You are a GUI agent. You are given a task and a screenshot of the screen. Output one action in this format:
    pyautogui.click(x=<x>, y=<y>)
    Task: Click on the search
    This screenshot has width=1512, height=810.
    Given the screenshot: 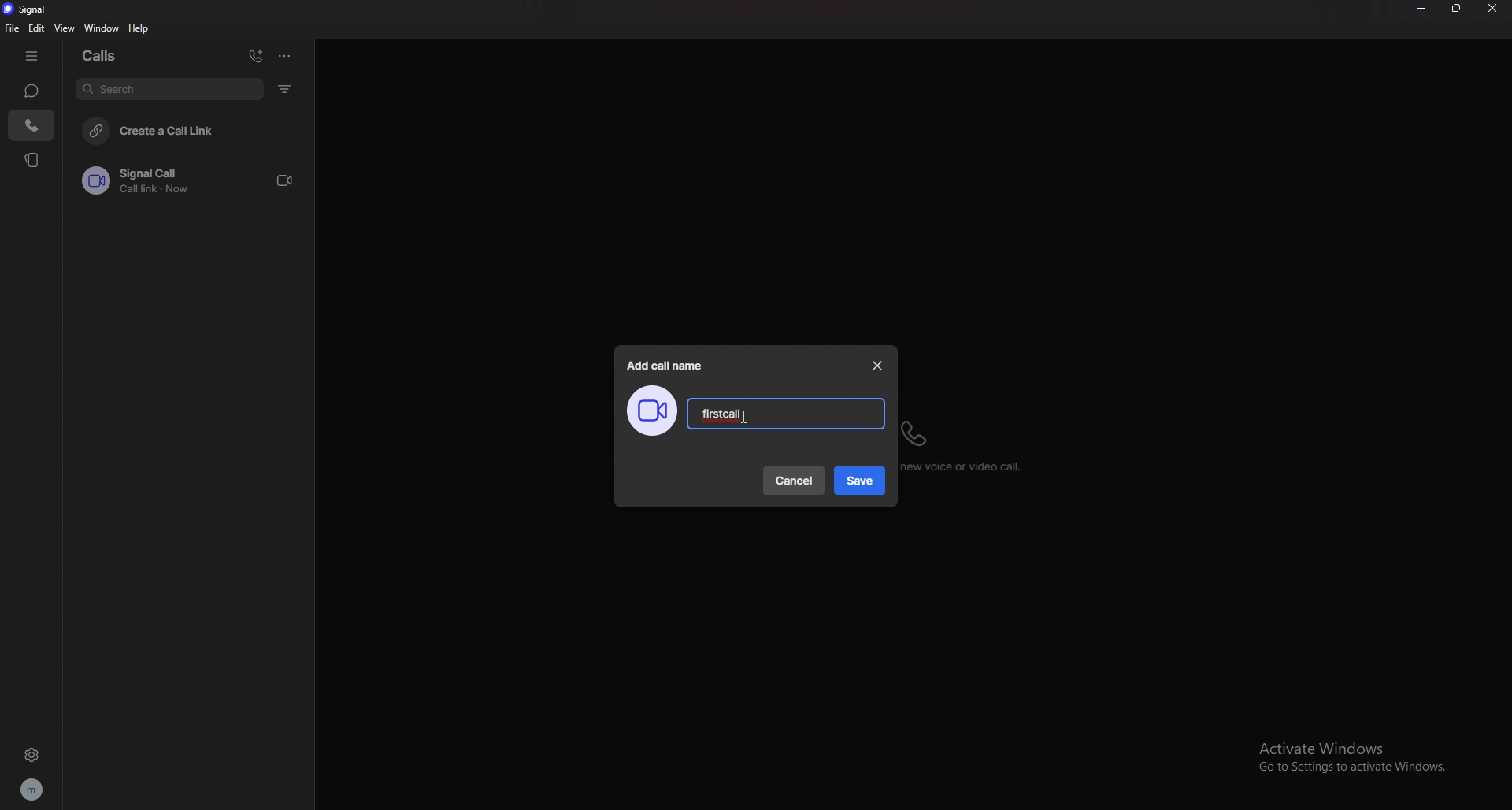 What is the action you would take?
    pyautogui.click(x=169, y=88)
    